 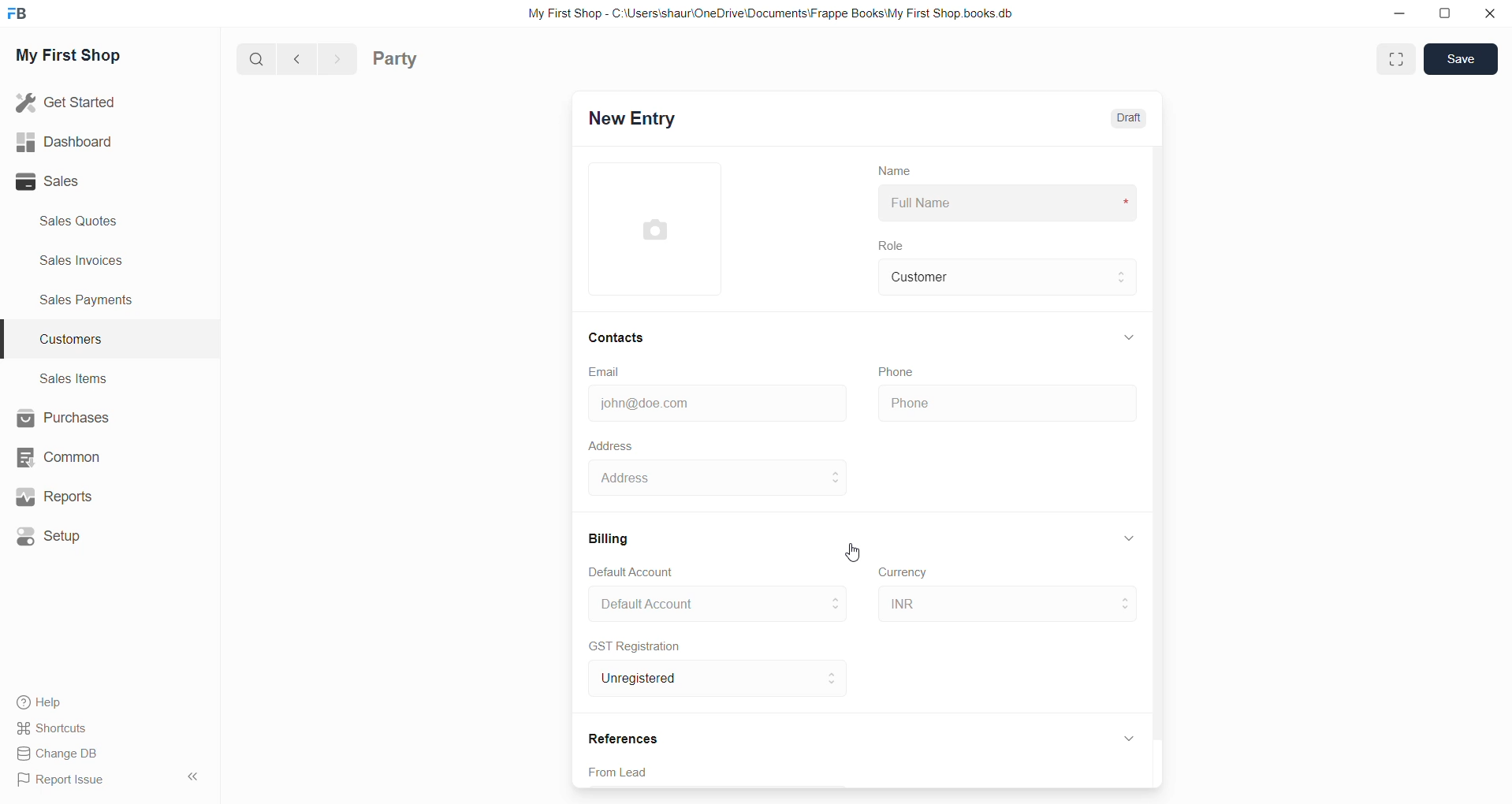 What do you see at coordinates (21, 17) in the screenshot?
I see `frappe book Logo` at bounding box center [21, 17].